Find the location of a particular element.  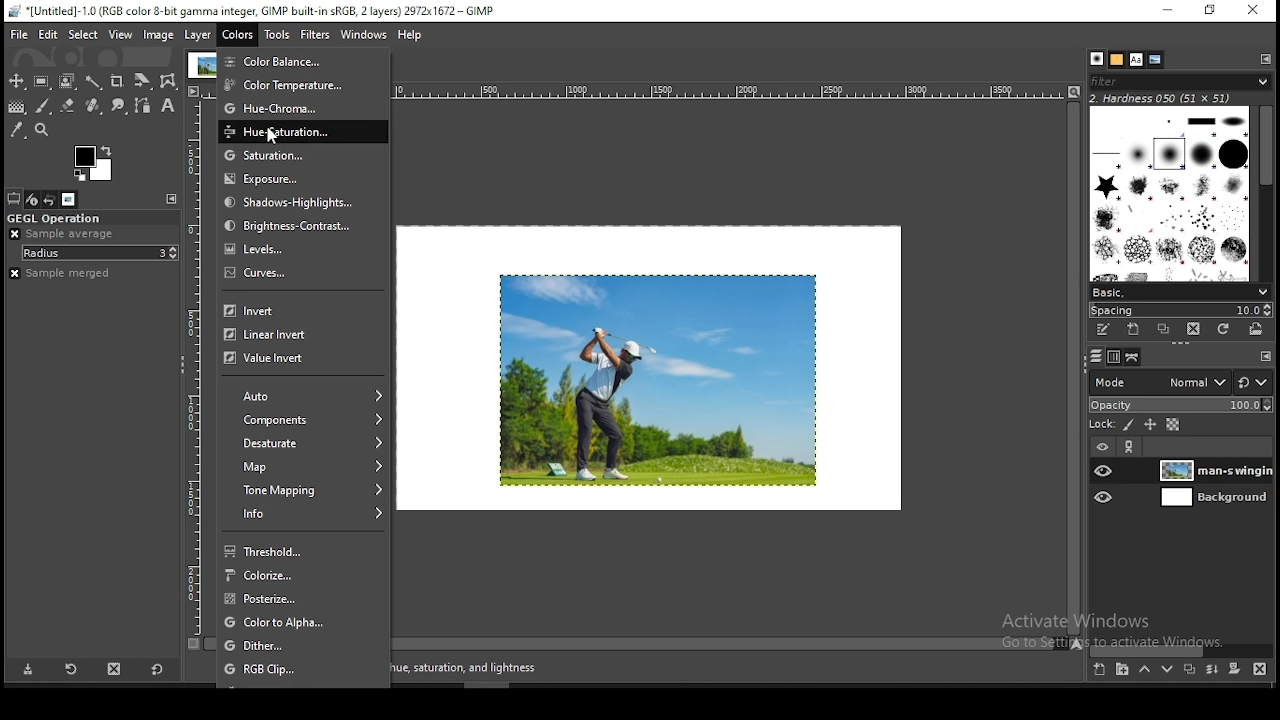

value invert is located at coordinates (268, 359).